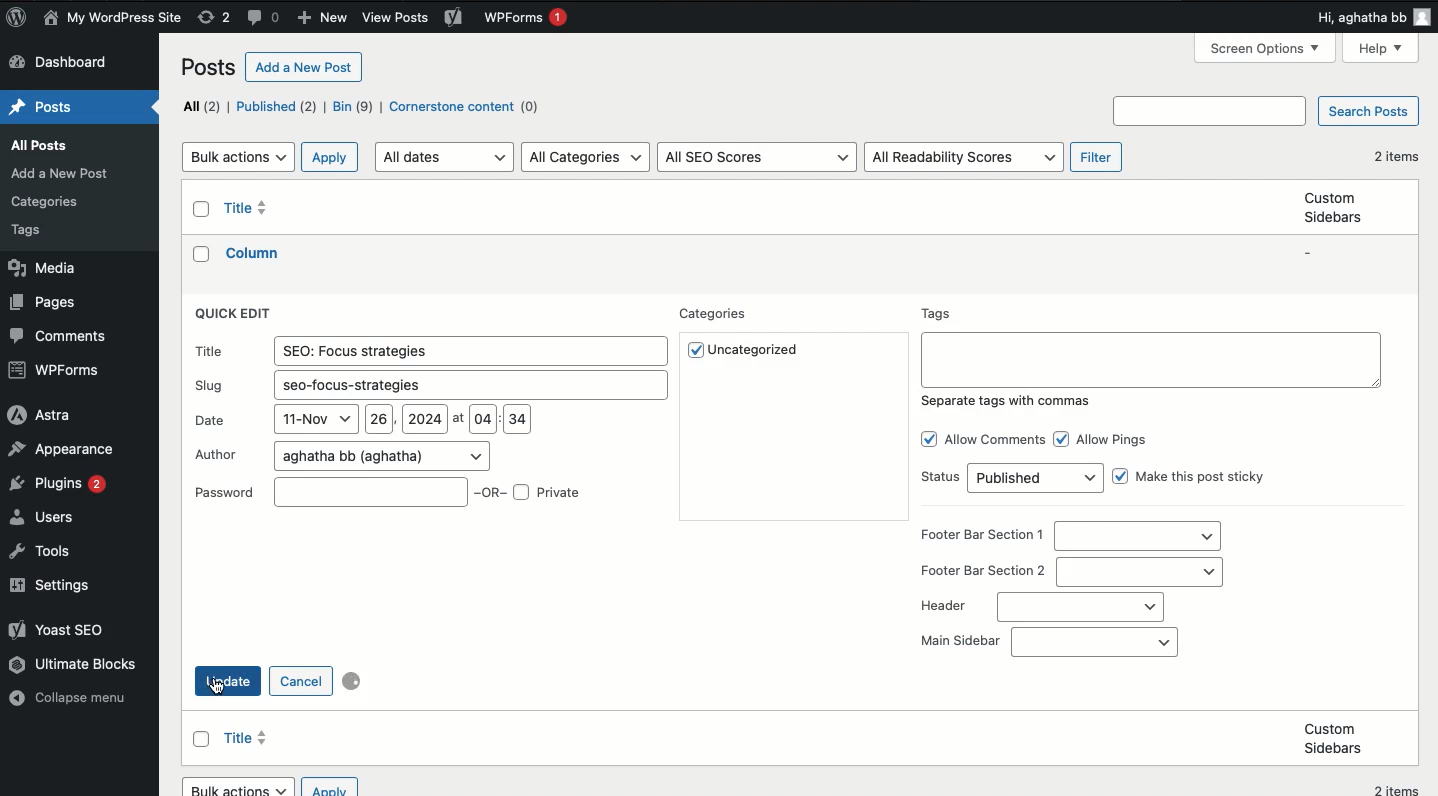 The width and height of the screenshot is (1438, 796). I want to click on 2 items, so click(1400, 787).